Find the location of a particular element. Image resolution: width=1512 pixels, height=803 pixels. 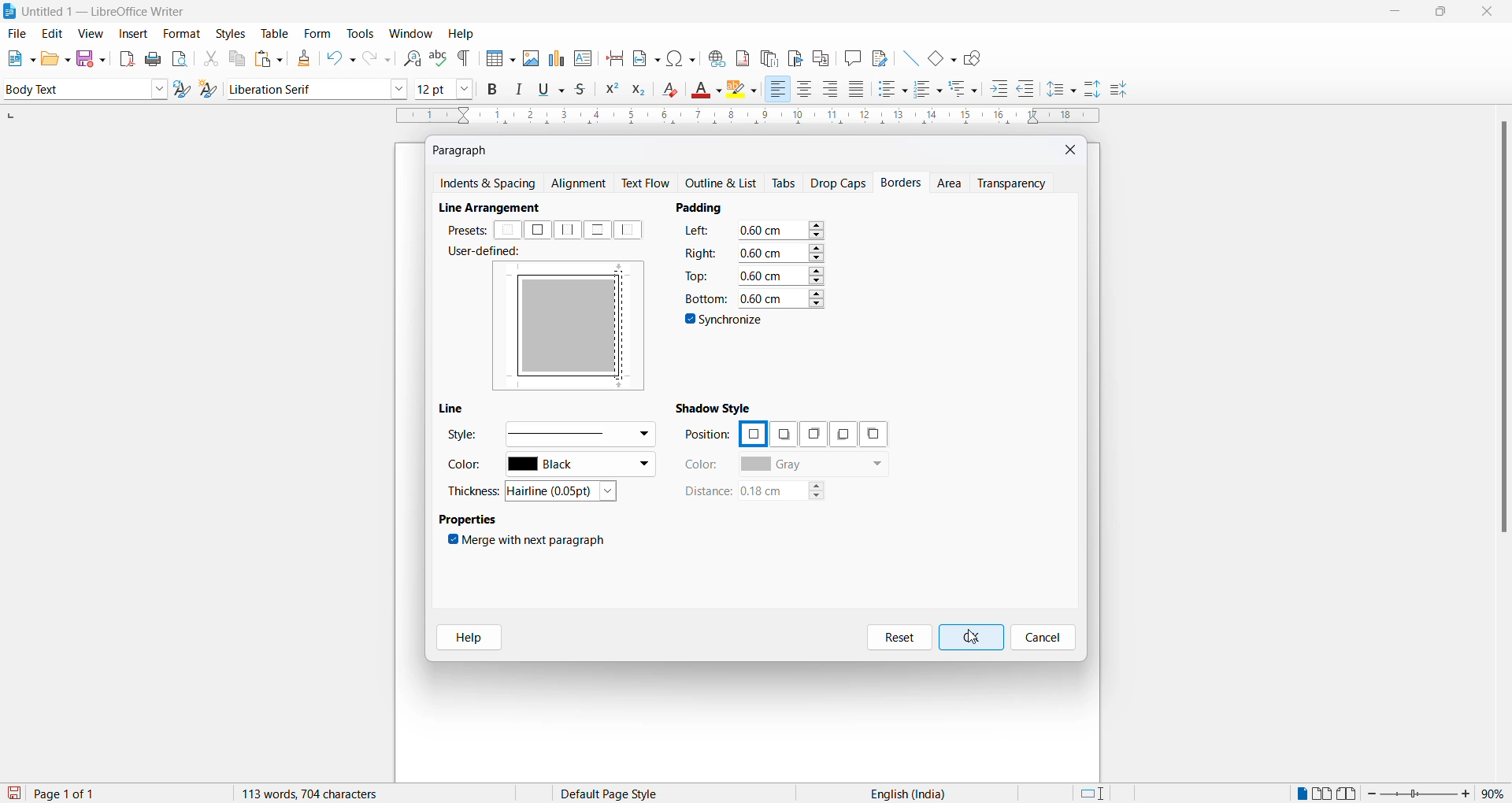

toggle ordered list is located at coordinates (929, 90).